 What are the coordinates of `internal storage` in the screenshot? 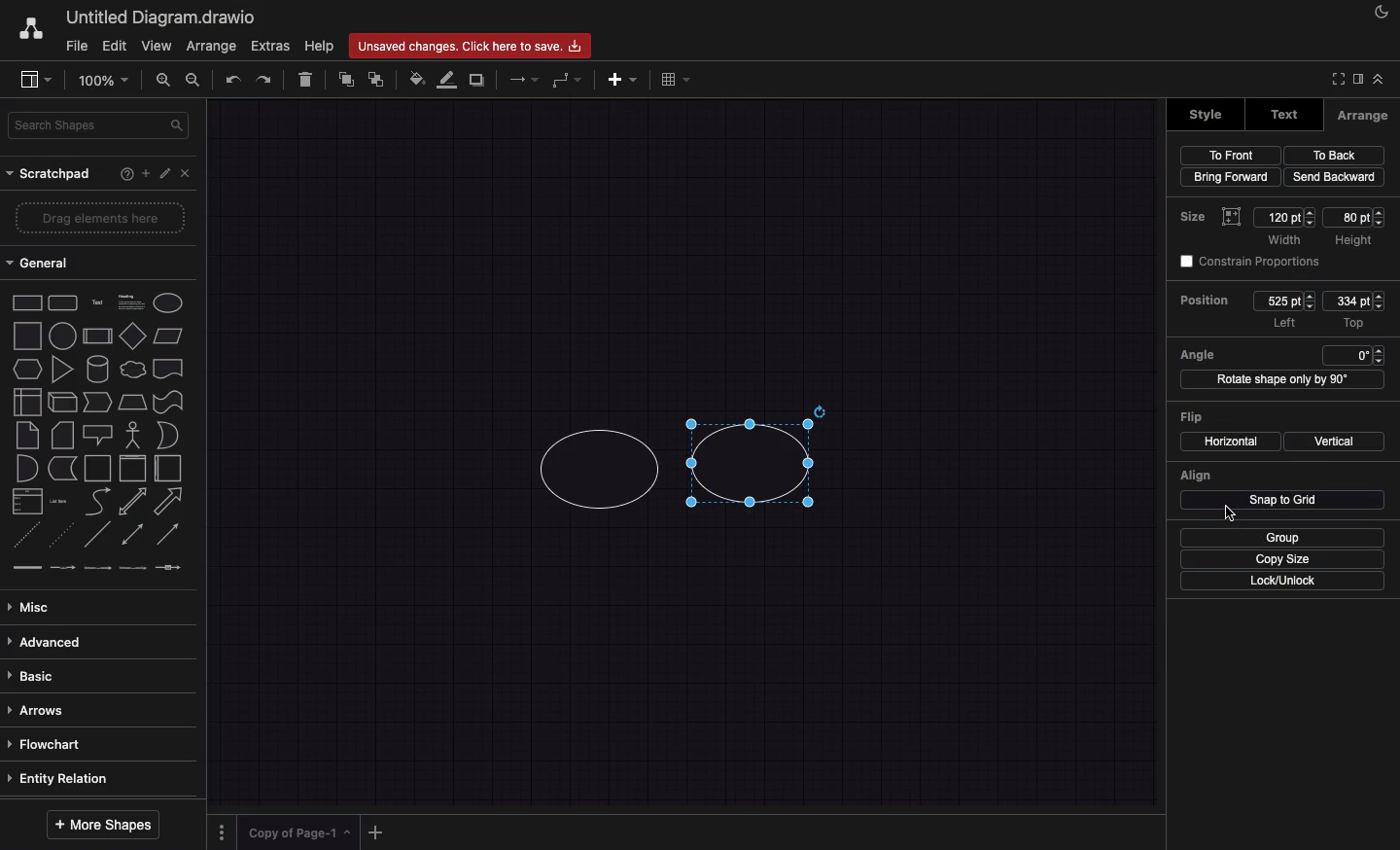 It's located at (27, 401).